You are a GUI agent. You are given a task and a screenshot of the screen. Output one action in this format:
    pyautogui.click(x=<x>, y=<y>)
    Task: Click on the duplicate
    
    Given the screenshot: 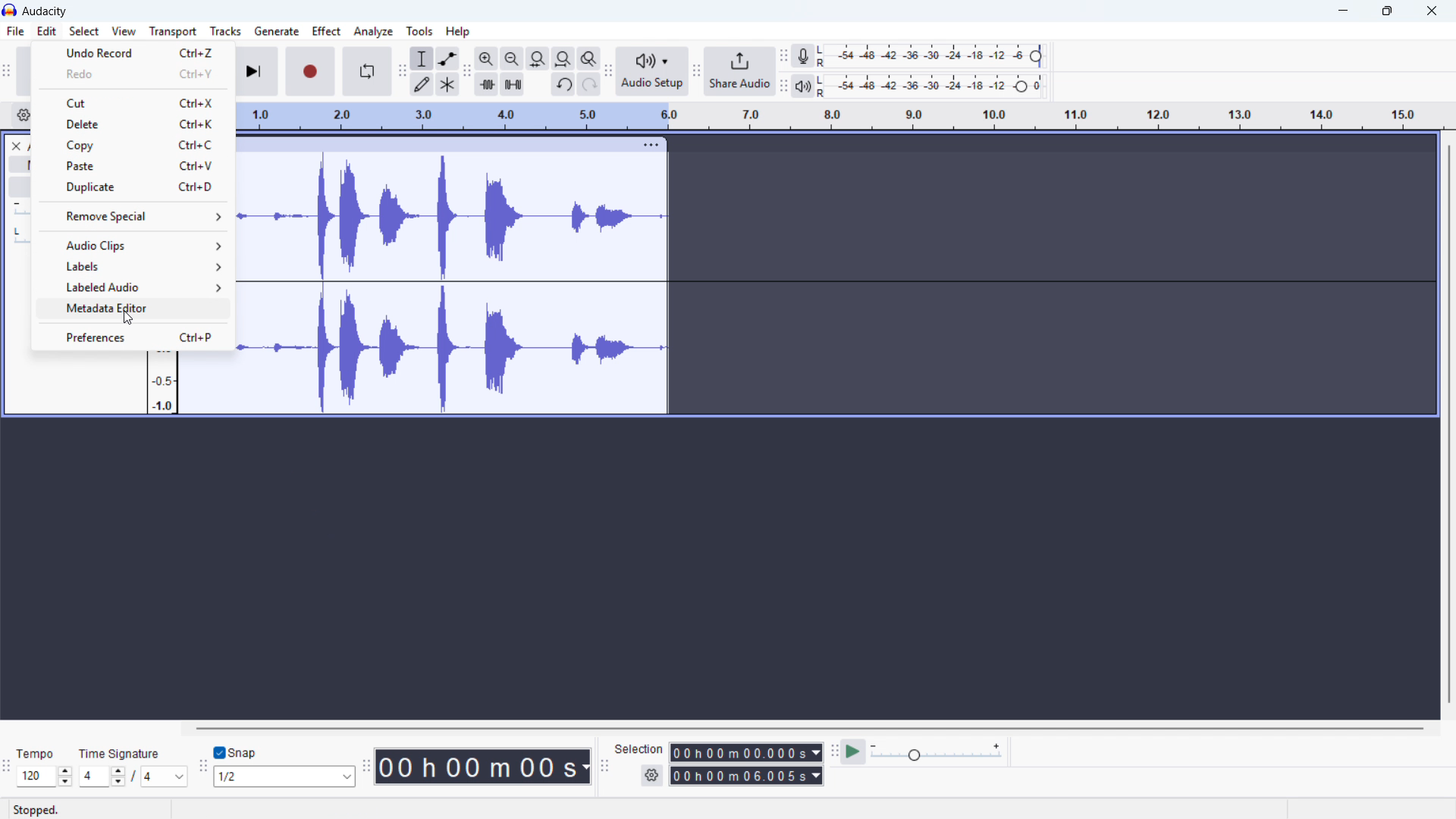 What is the action you would take?
    pyautogui.click(x=132, y=187)
    